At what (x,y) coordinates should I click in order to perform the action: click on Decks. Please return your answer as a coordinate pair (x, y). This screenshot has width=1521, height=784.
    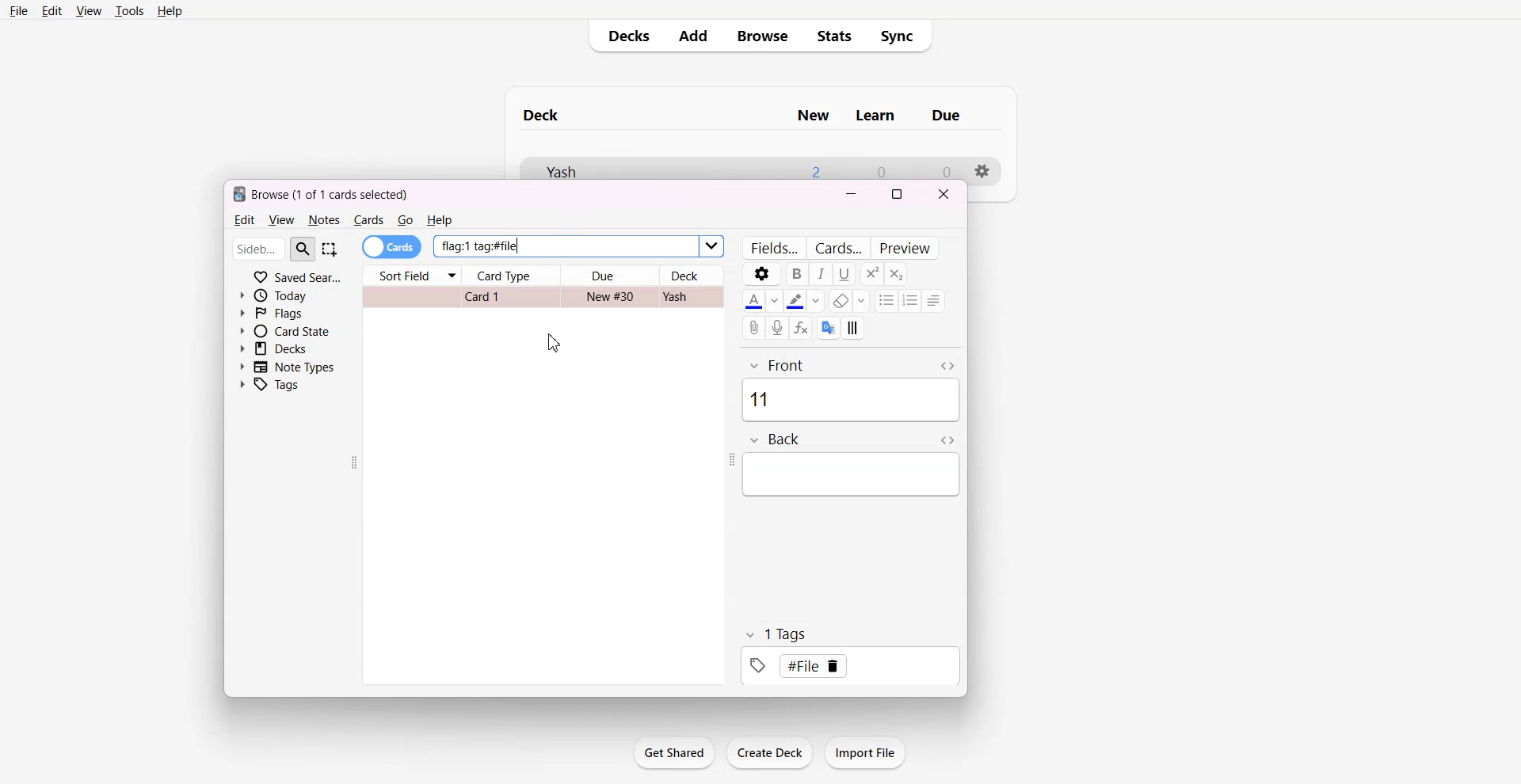
    Looking at the image, I should click on (284, 349).